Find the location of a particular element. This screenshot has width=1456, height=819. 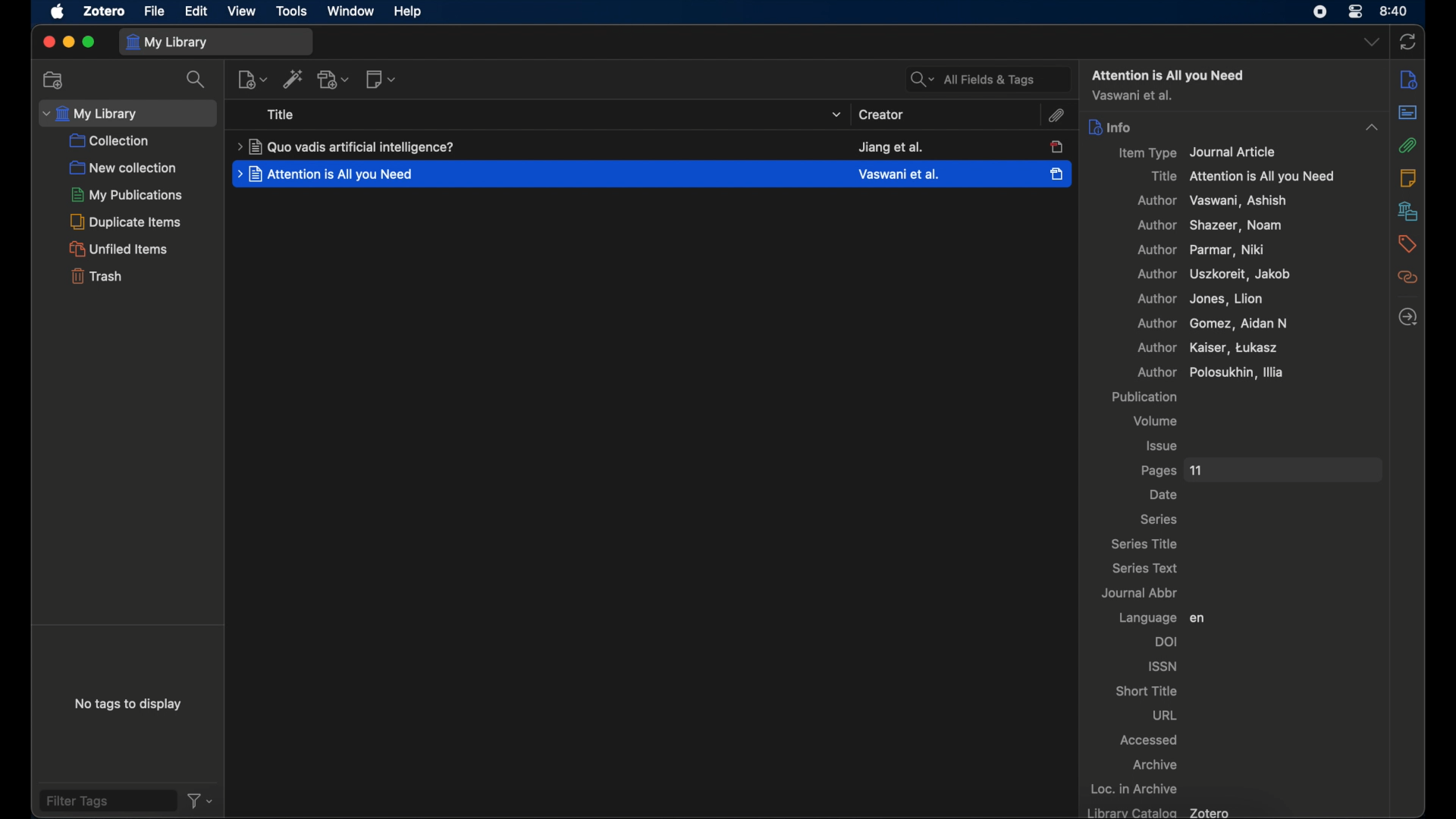

issn is located at coordinates (1162, 665).